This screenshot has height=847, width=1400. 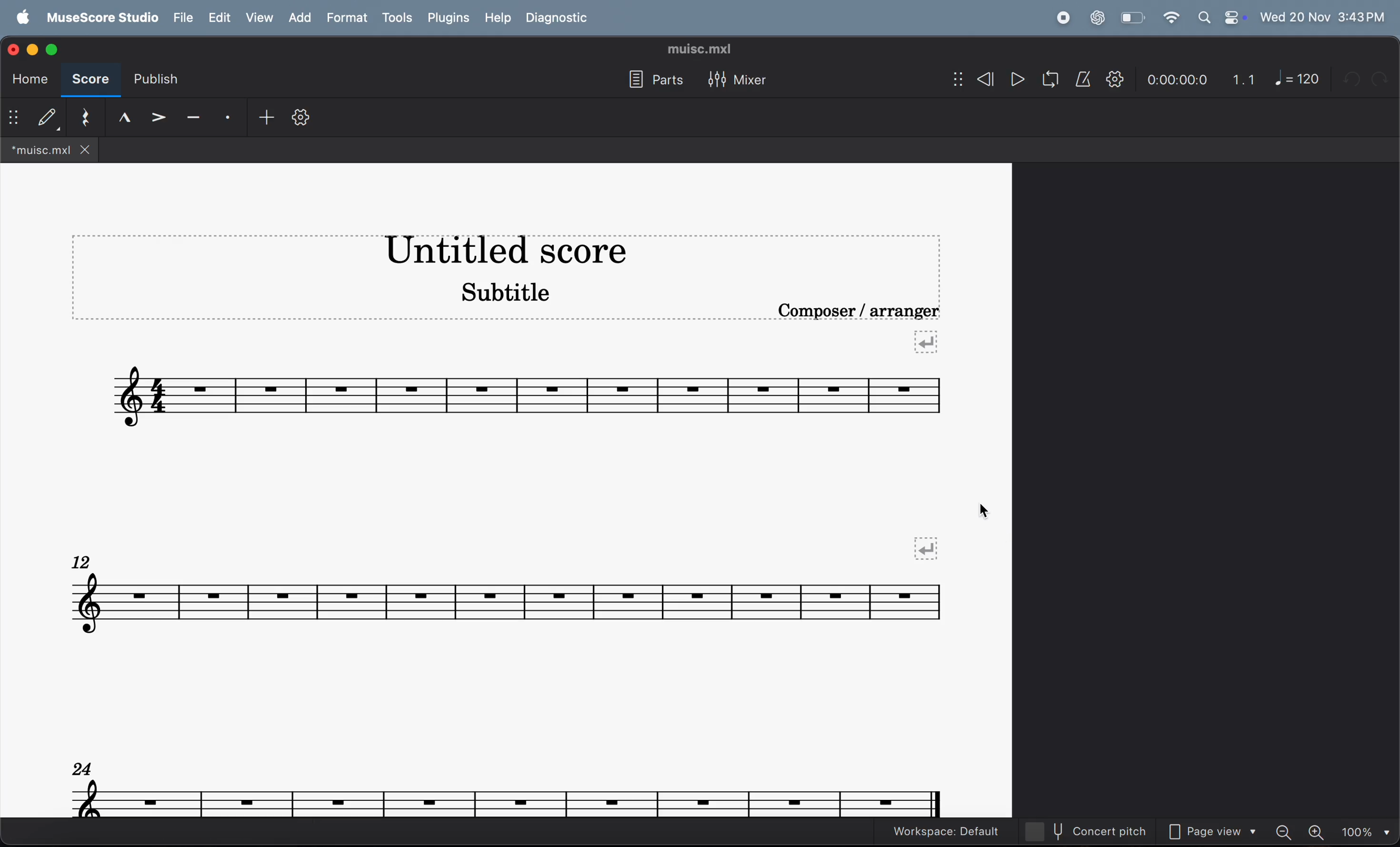 I want to click on satcato, so click(x=225, y=119).